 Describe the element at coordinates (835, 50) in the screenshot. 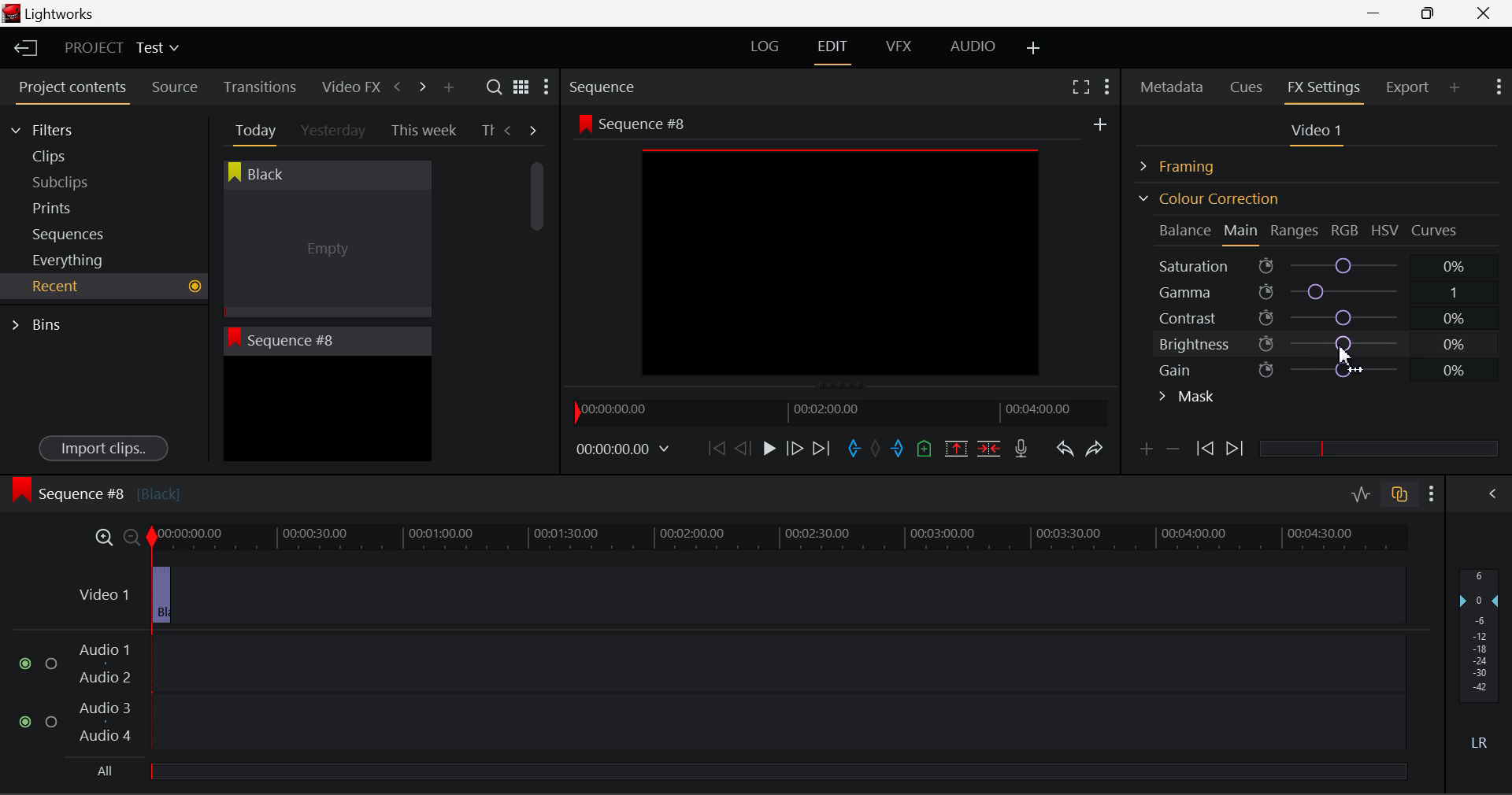

I see `EDIT Layout` at that location.